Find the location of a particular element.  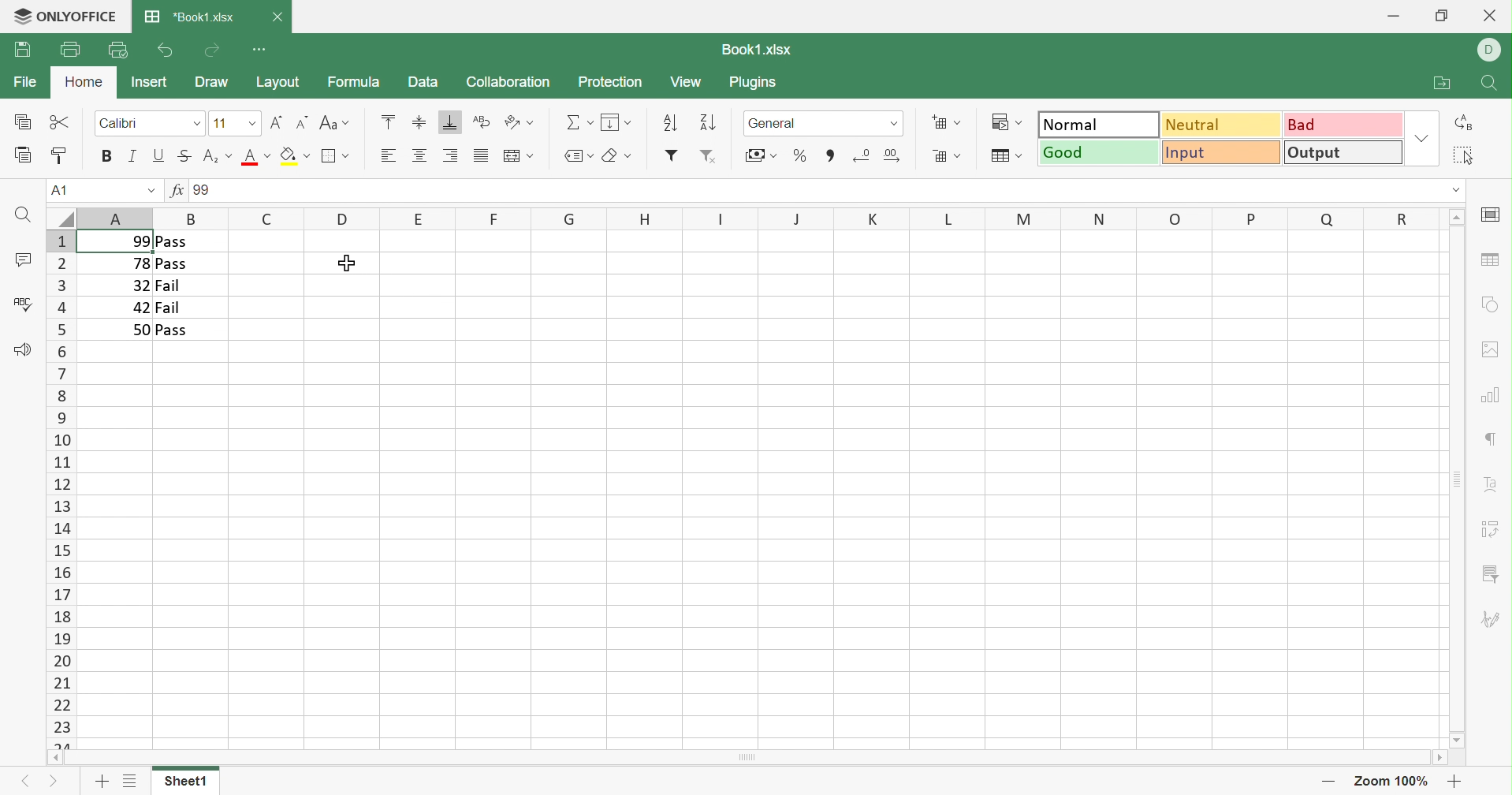

99 is located at coordinates (136, 241).